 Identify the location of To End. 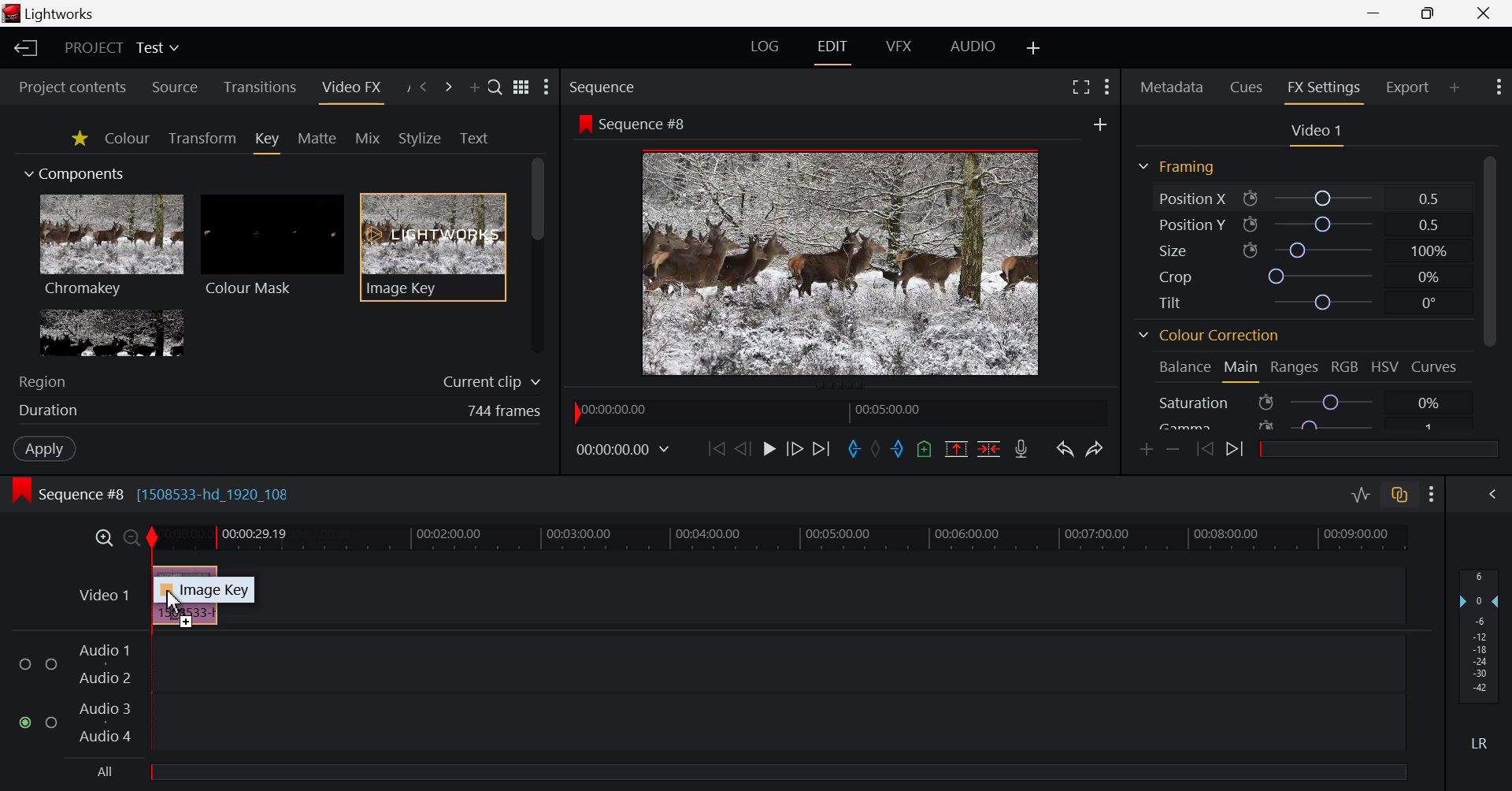
(824, 448).